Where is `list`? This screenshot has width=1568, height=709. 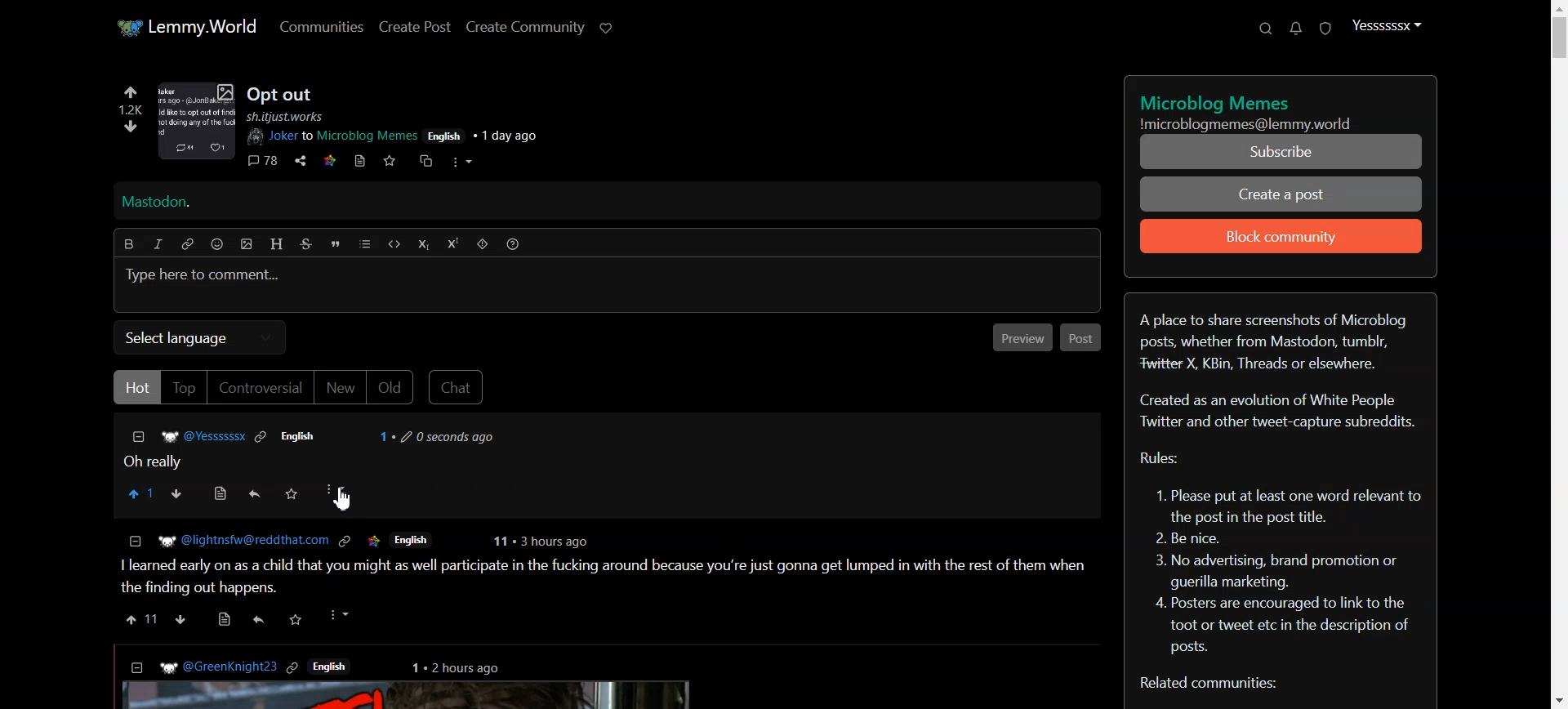 list is located at coordinates (365, 243).